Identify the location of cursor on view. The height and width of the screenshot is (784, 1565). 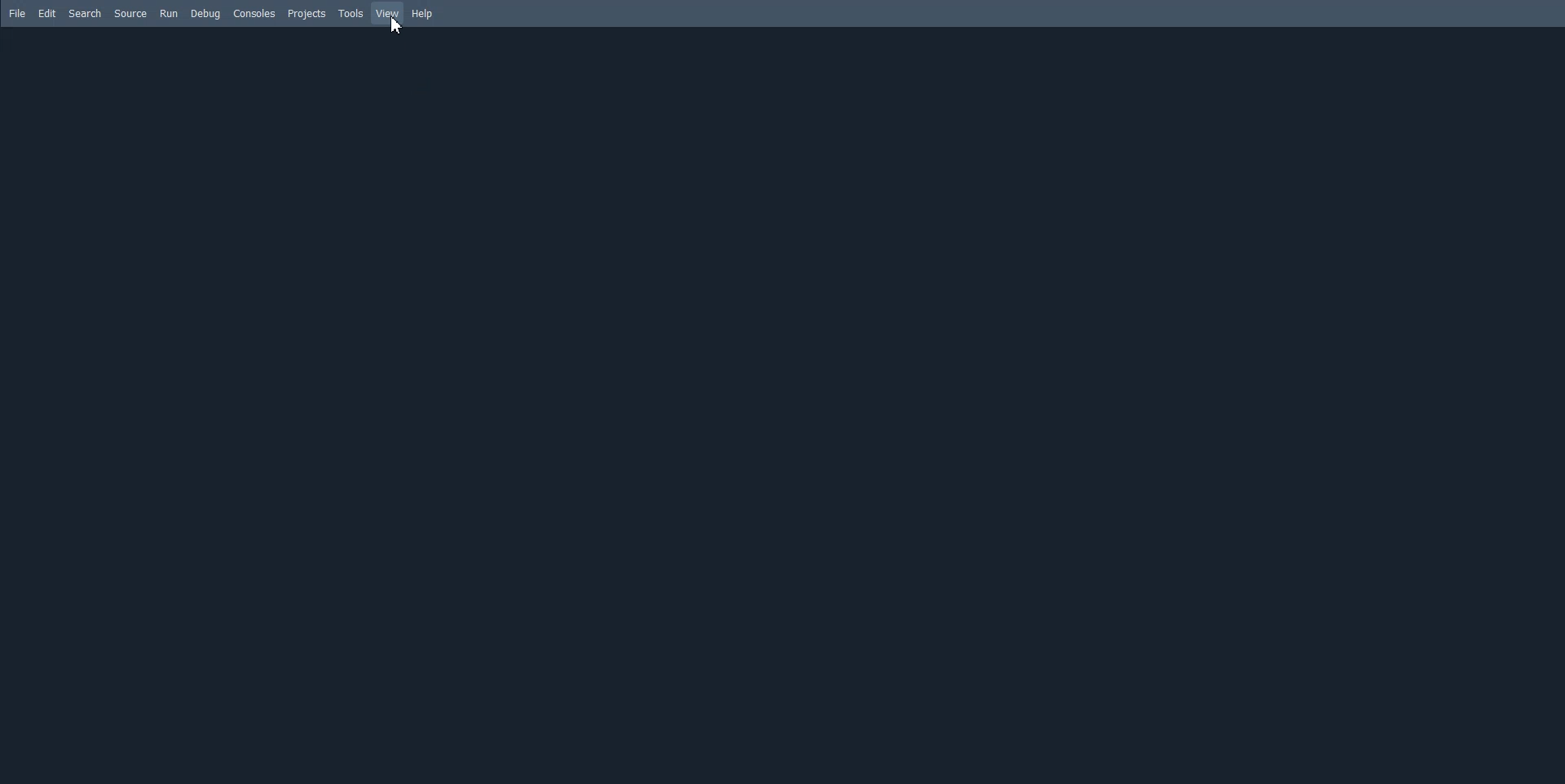
(398, 28).